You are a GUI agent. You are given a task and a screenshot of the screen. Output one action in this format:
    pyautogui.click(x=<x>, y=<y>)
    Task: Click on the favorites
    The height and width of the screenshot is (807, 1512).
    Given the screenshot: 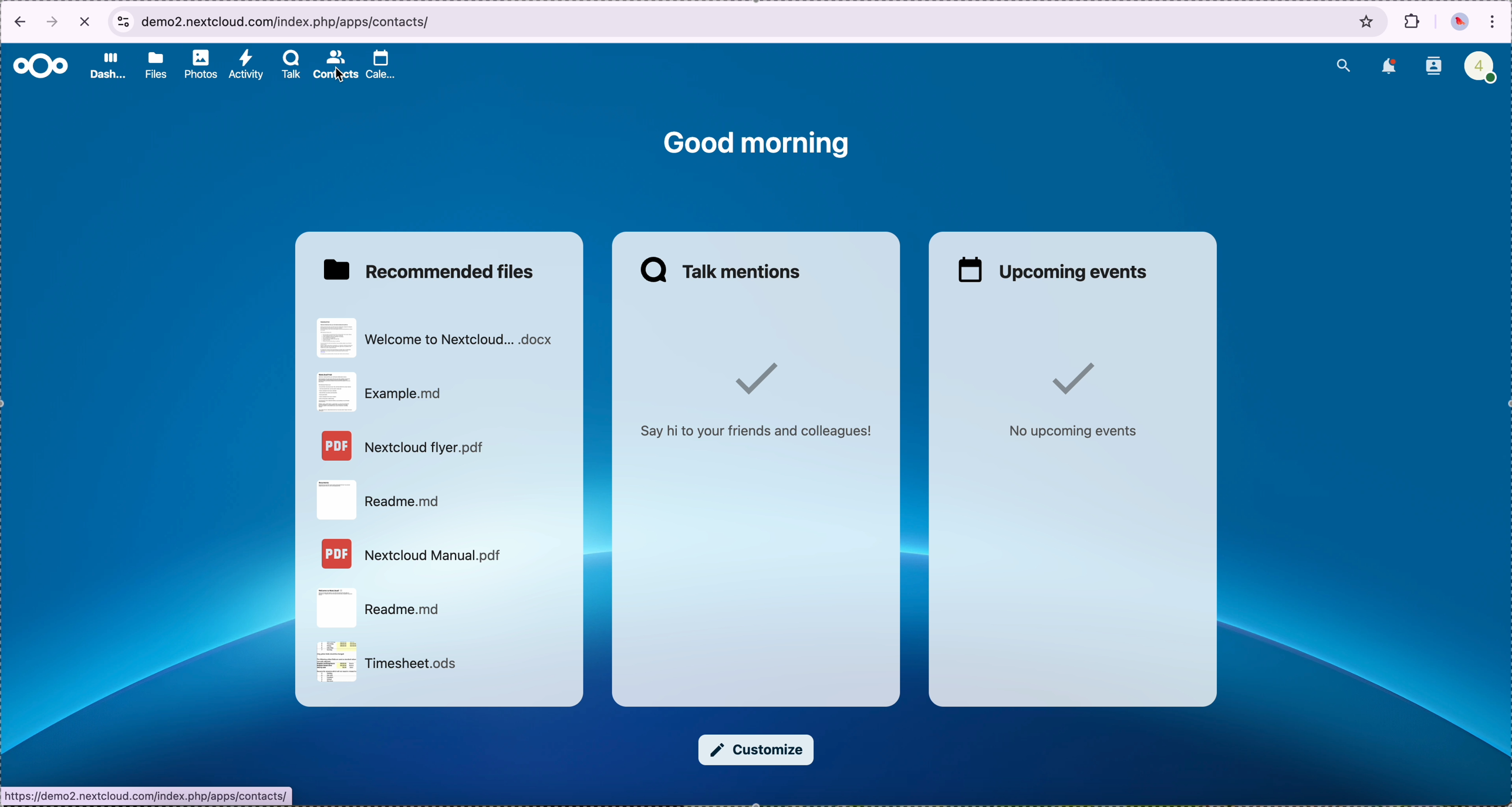 What is the action you would take?
    pyautogui.click(x=1368, y=21)
    